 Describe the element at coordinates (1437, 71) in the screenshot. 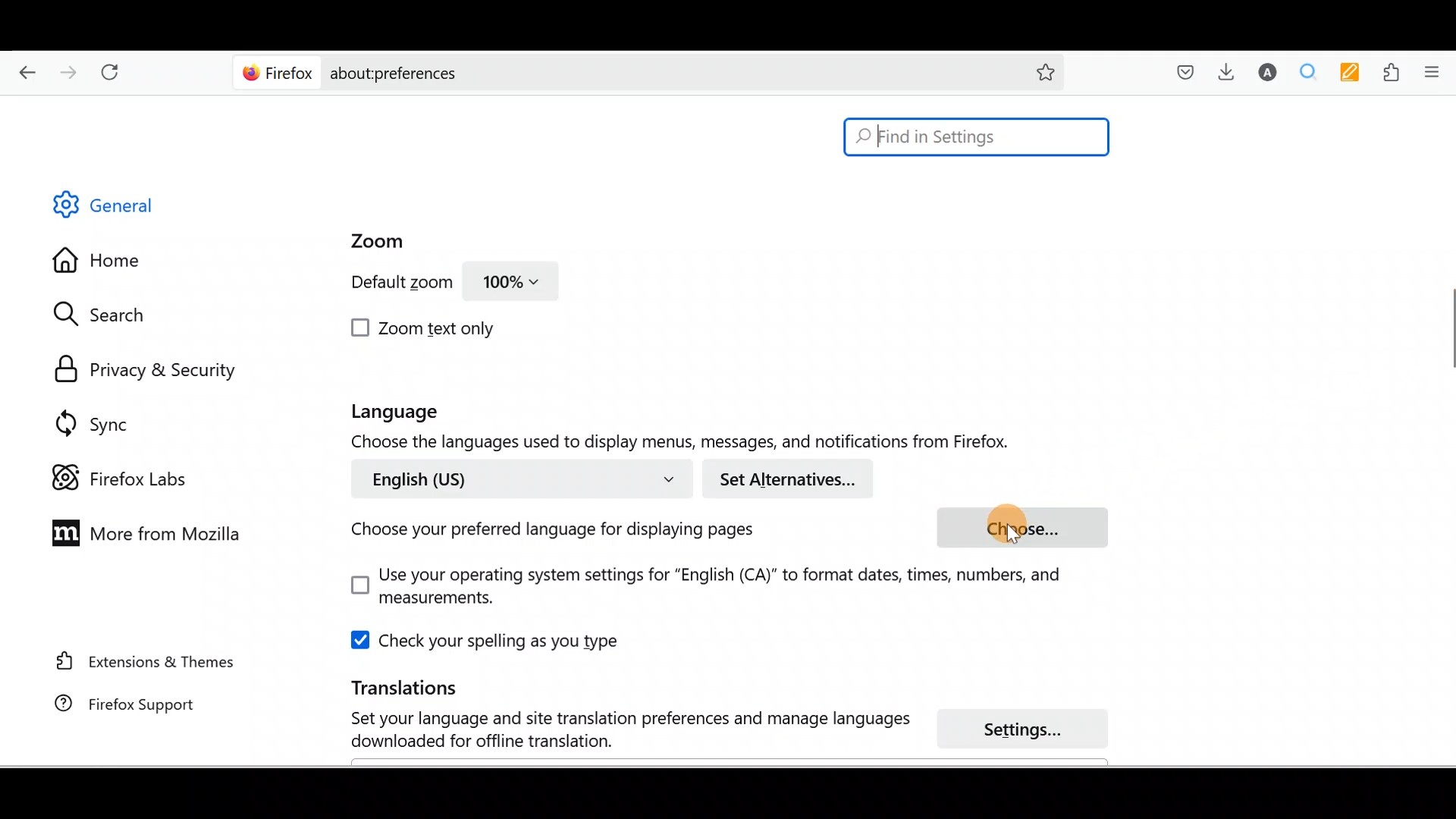

I see `Open application menu` at that location.